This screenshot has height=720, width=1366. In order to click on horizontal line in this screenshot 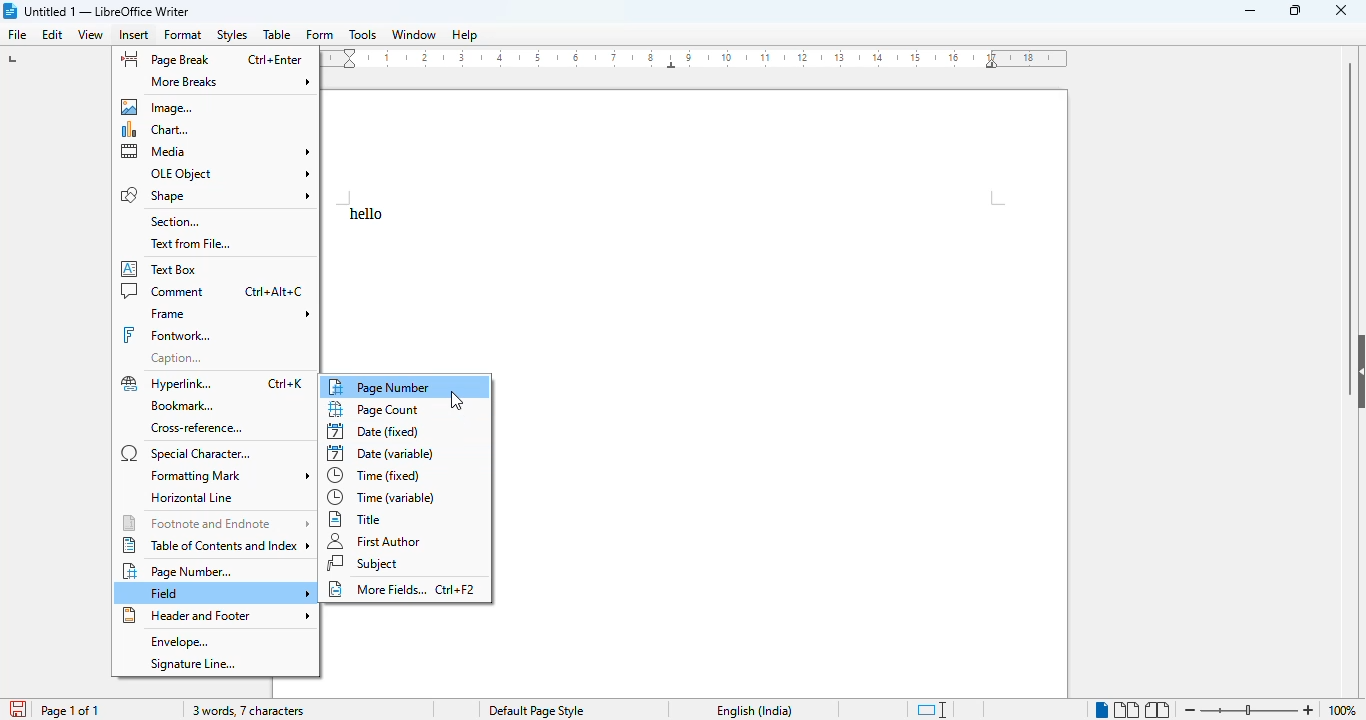, I will do `click(192, 498)`.